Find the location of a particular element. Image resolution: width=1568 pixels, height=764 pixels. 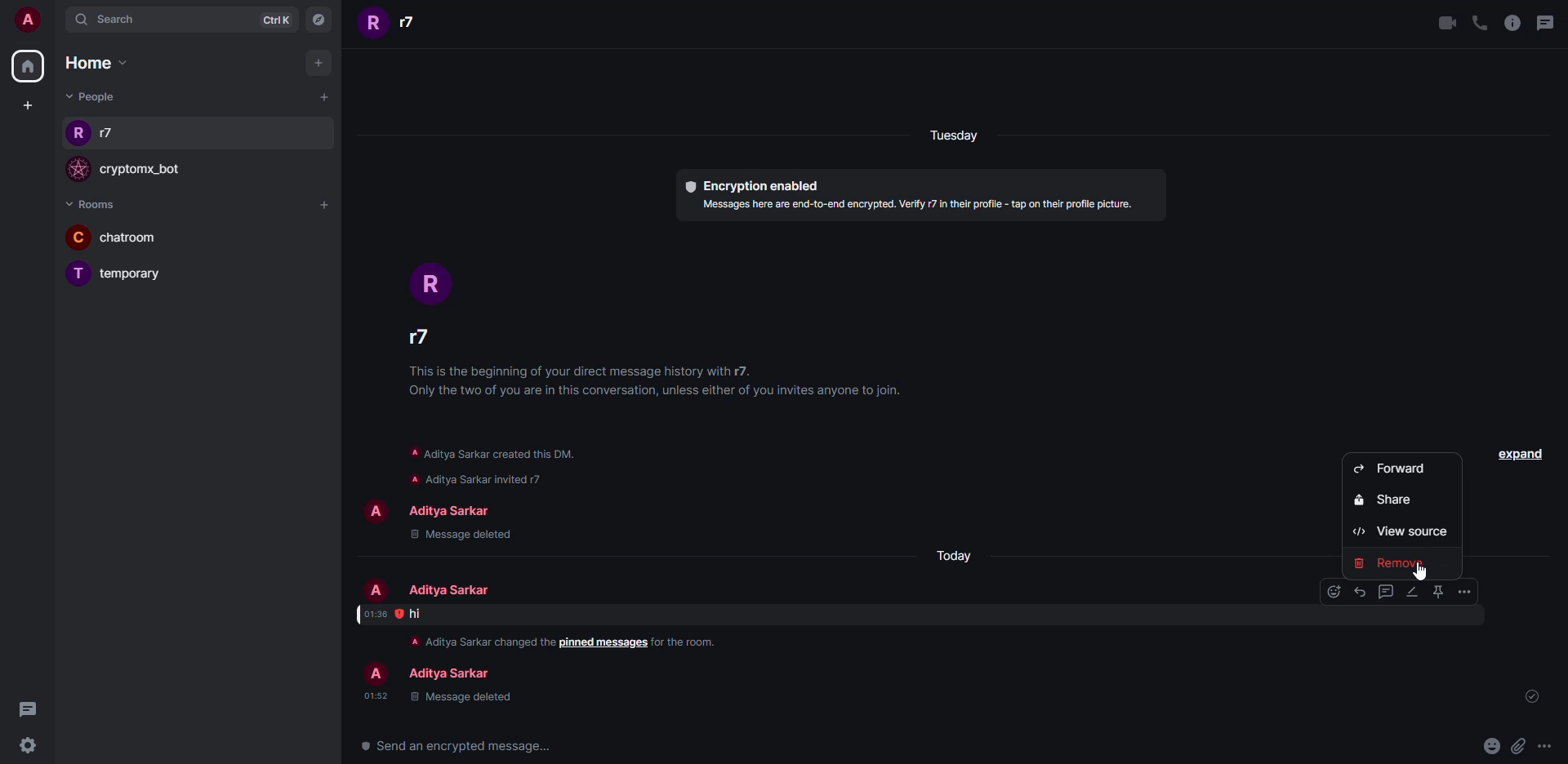

reply is located at coordinates (1359, 592).